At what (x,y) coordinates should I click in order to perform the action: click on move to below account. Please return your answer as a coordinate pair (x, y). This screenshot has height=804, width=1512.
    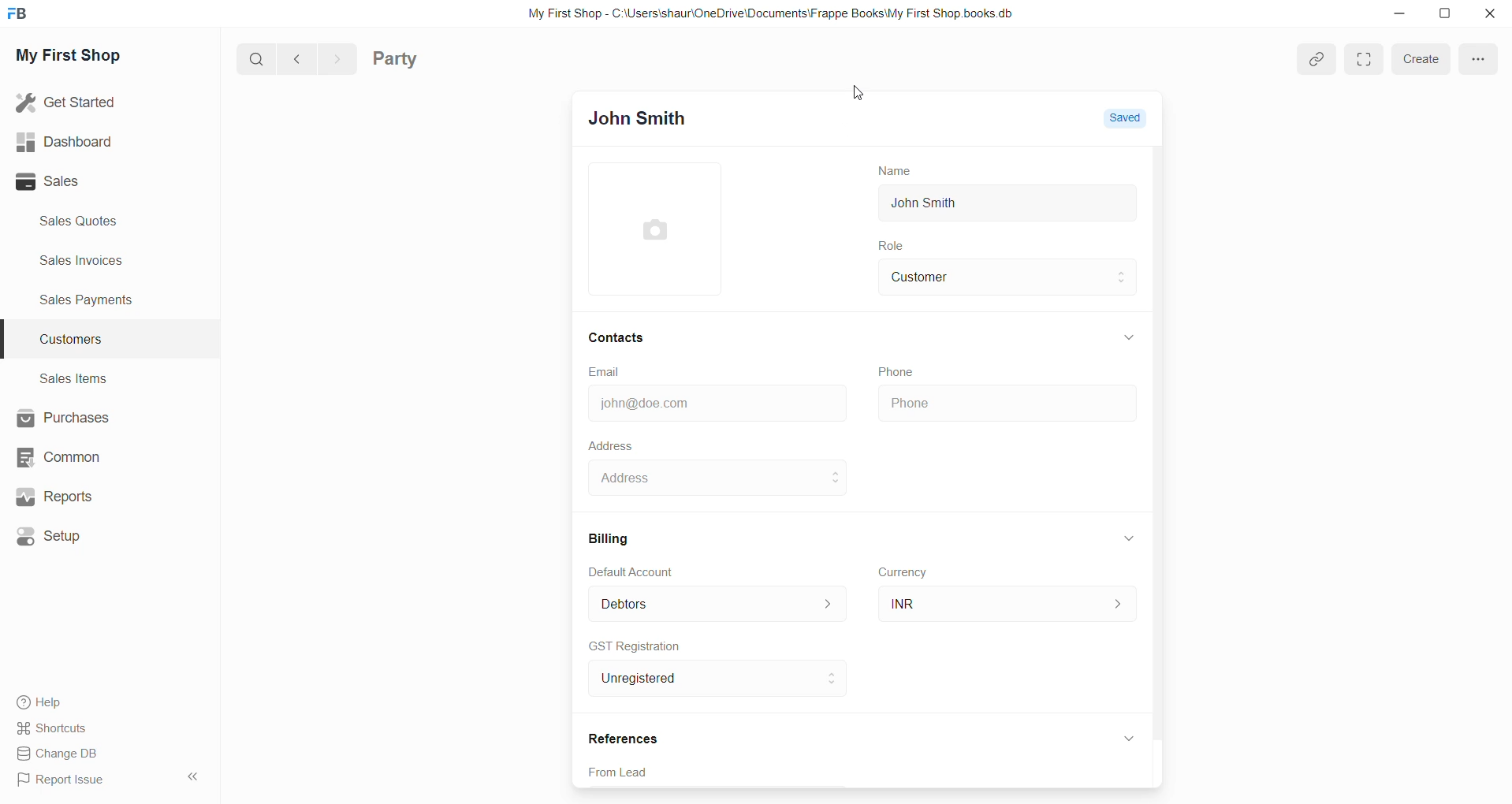
    Looking at the image, I should click on (835, 609).